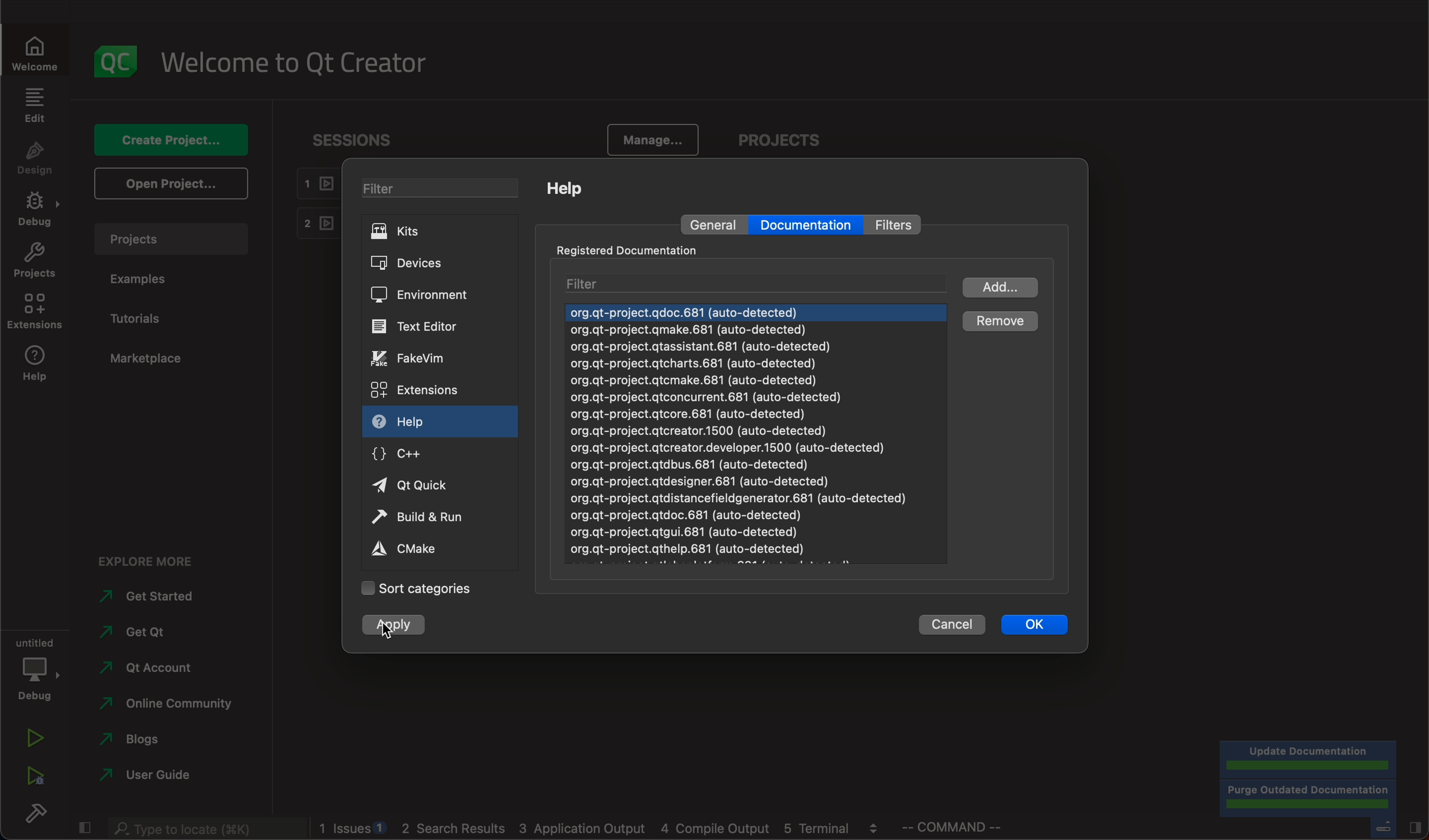 The image size is (1429, 840). What do you see at coordinates (566, 190) in the screenshot?
I see `help` at bounding box center [566, 190].